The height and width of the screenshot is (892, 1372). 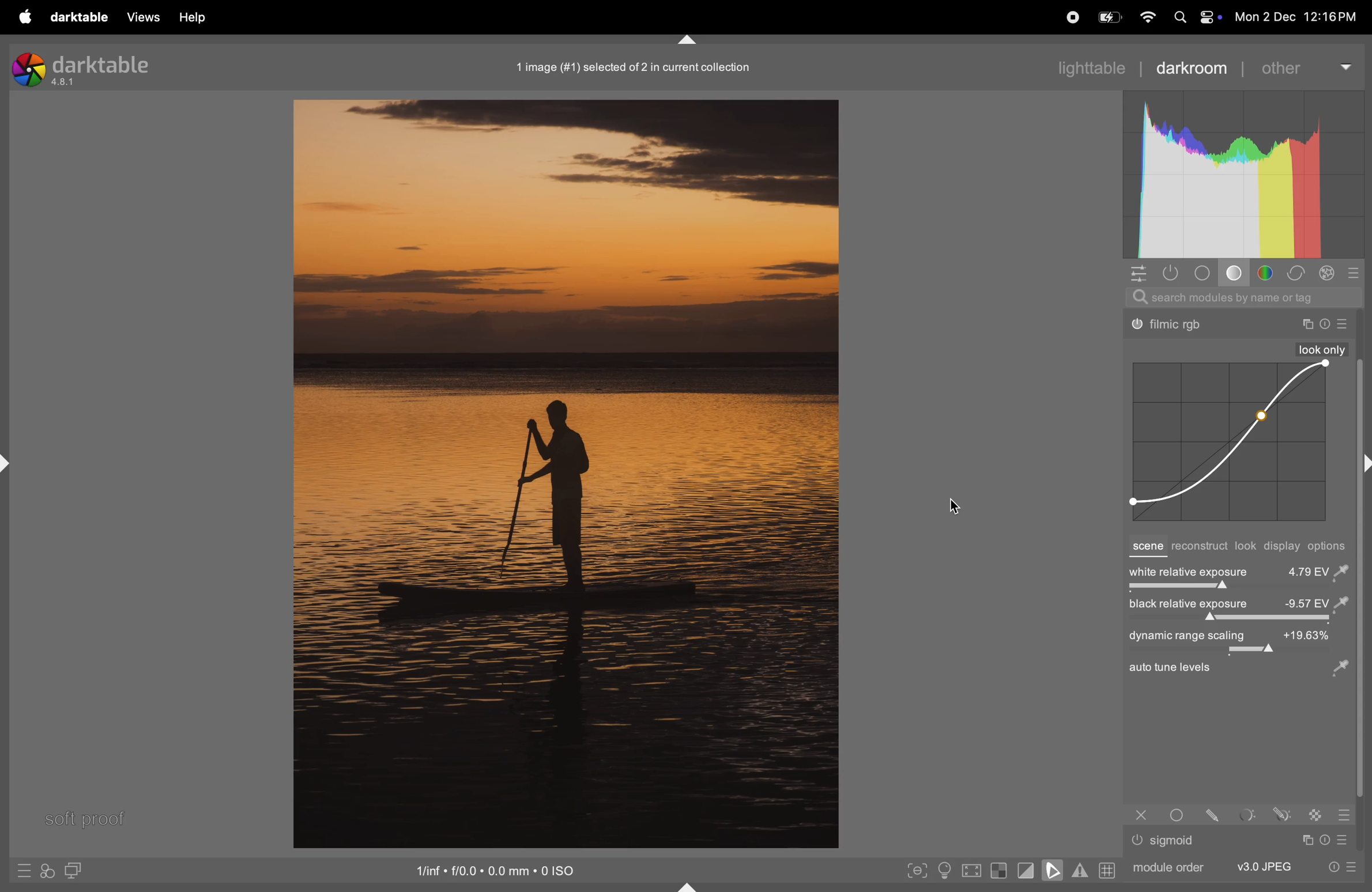 What do you see at coordinates (1330, 546) in the screenshot?
I see `options` at bounding box center [1330, 546].